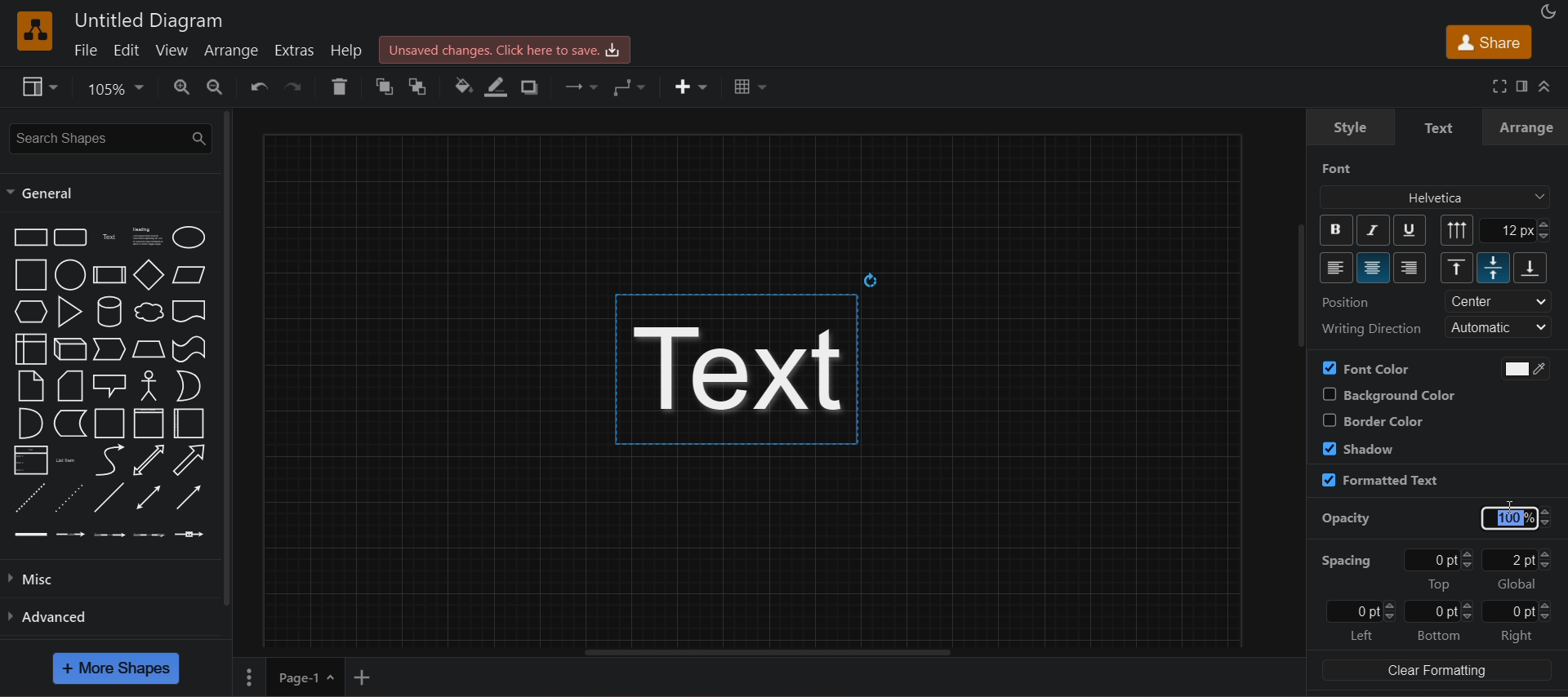 This screenshot has width=1568, height=697. I want to click on writing direction, so click(1370, 328).